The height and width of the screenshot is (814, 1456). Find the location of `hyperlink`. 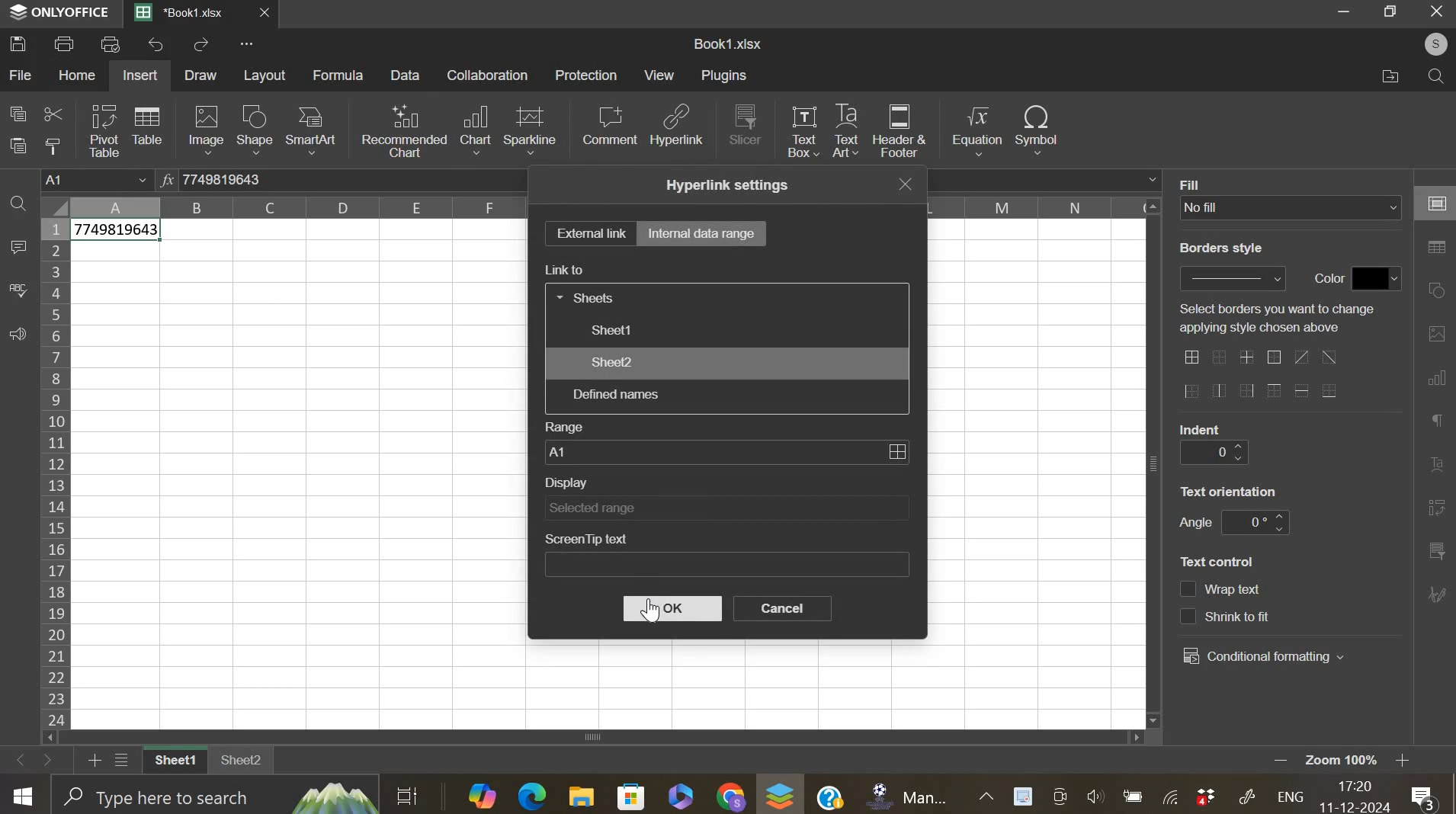

hyperlink is located at coordinates (678, 130).